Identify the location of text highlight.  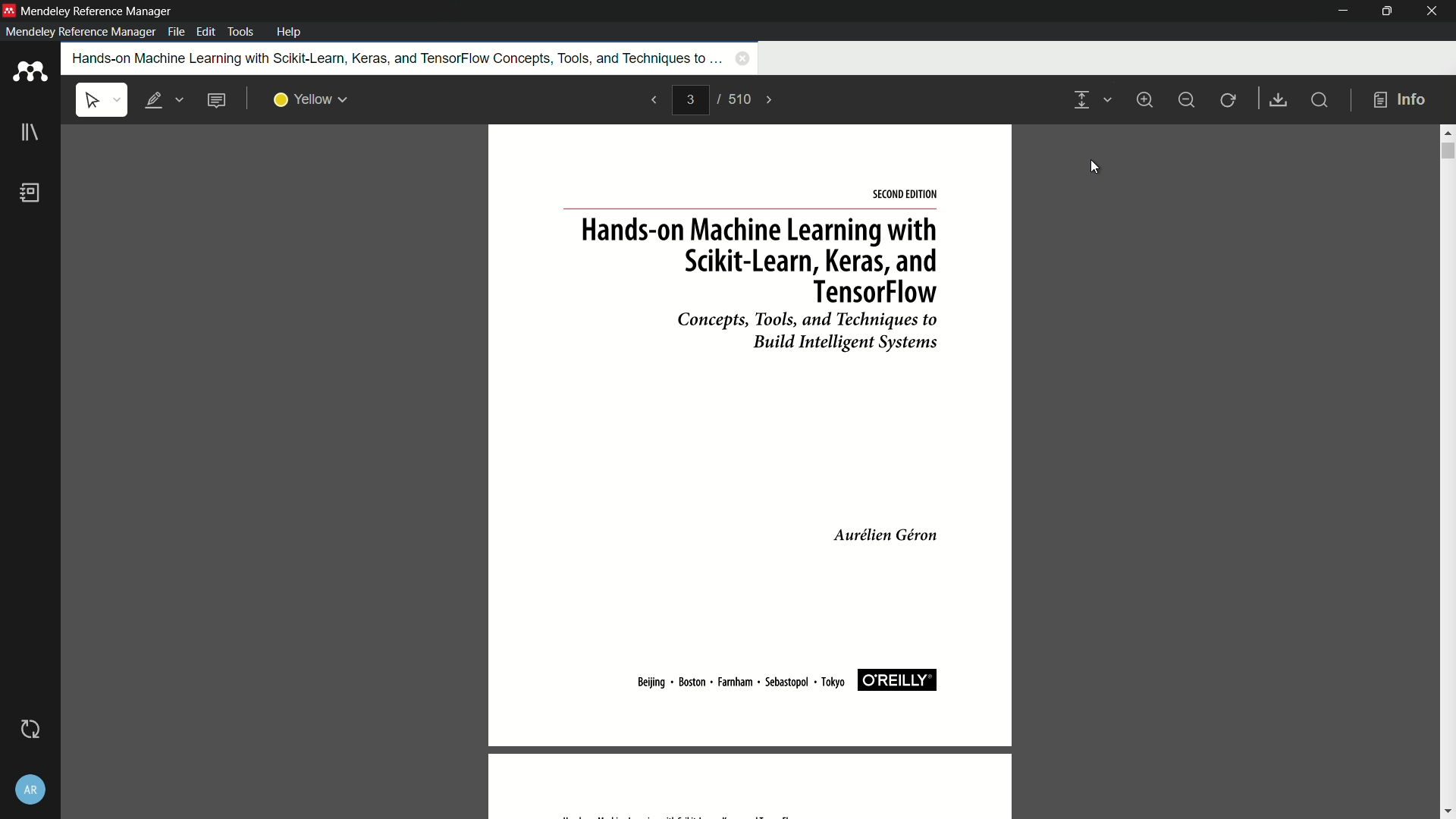
(162, 101).